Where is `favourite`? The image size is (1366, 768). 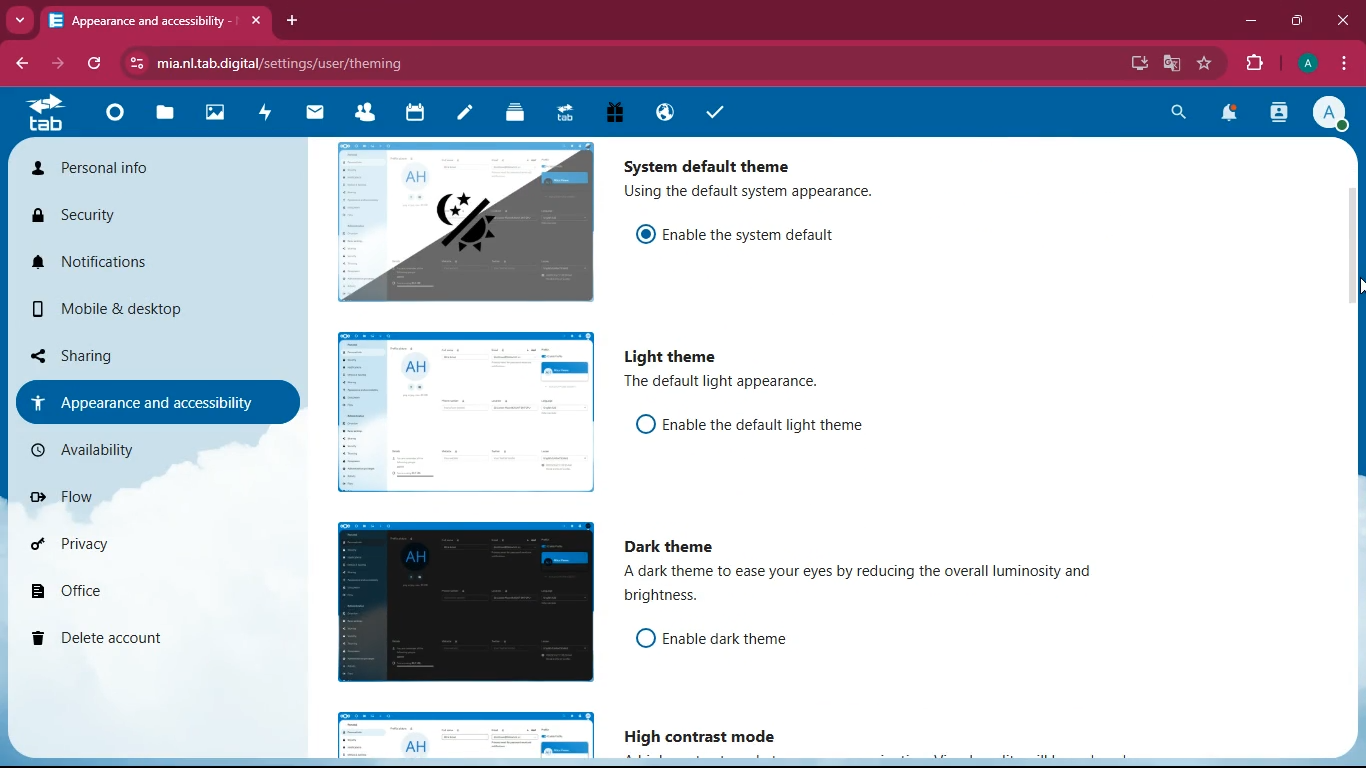
favourite is located at coordinates (1207, 64).